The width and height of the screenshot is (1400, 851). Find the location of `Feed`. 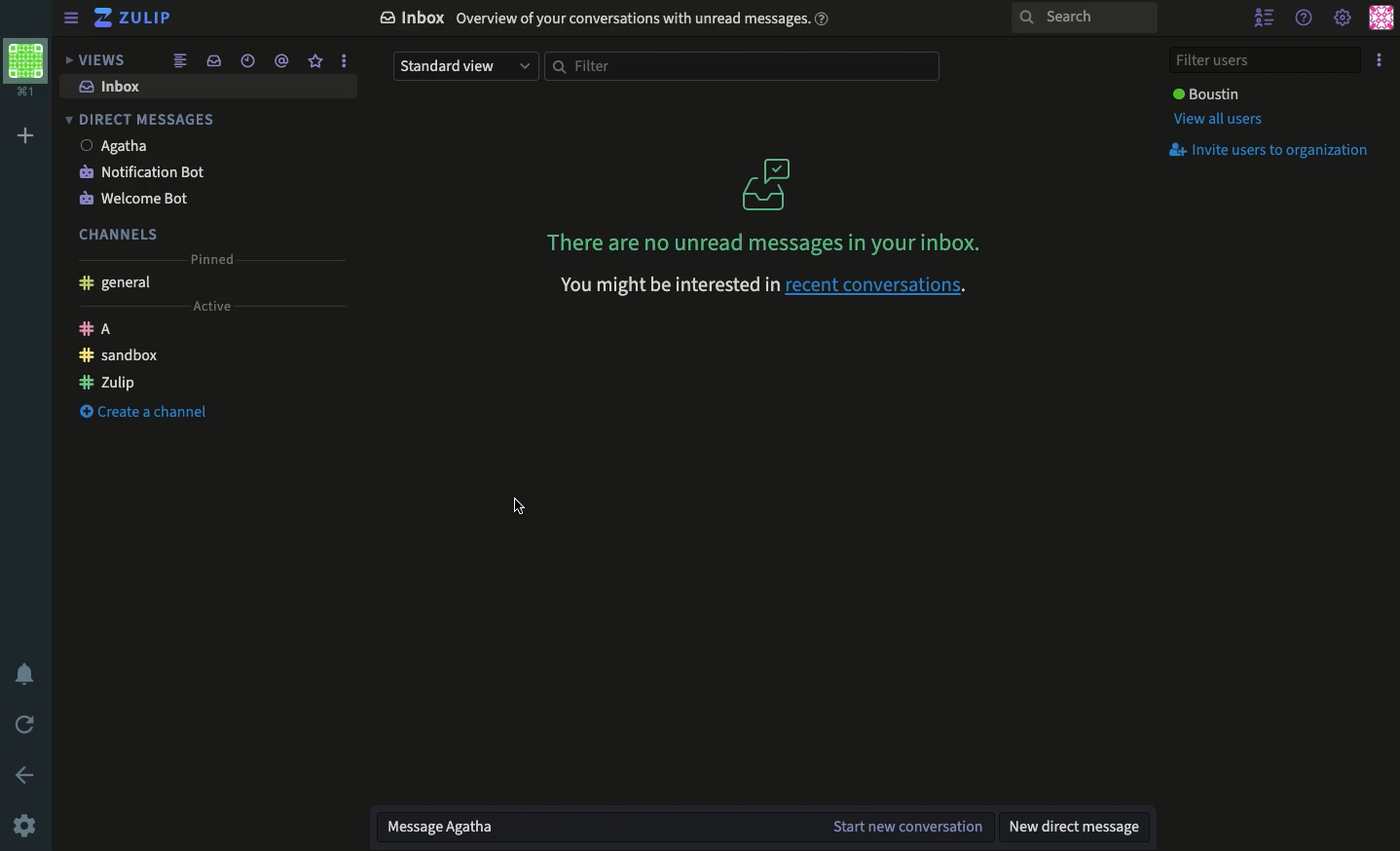

Feed is located at coordinates (184, 59).